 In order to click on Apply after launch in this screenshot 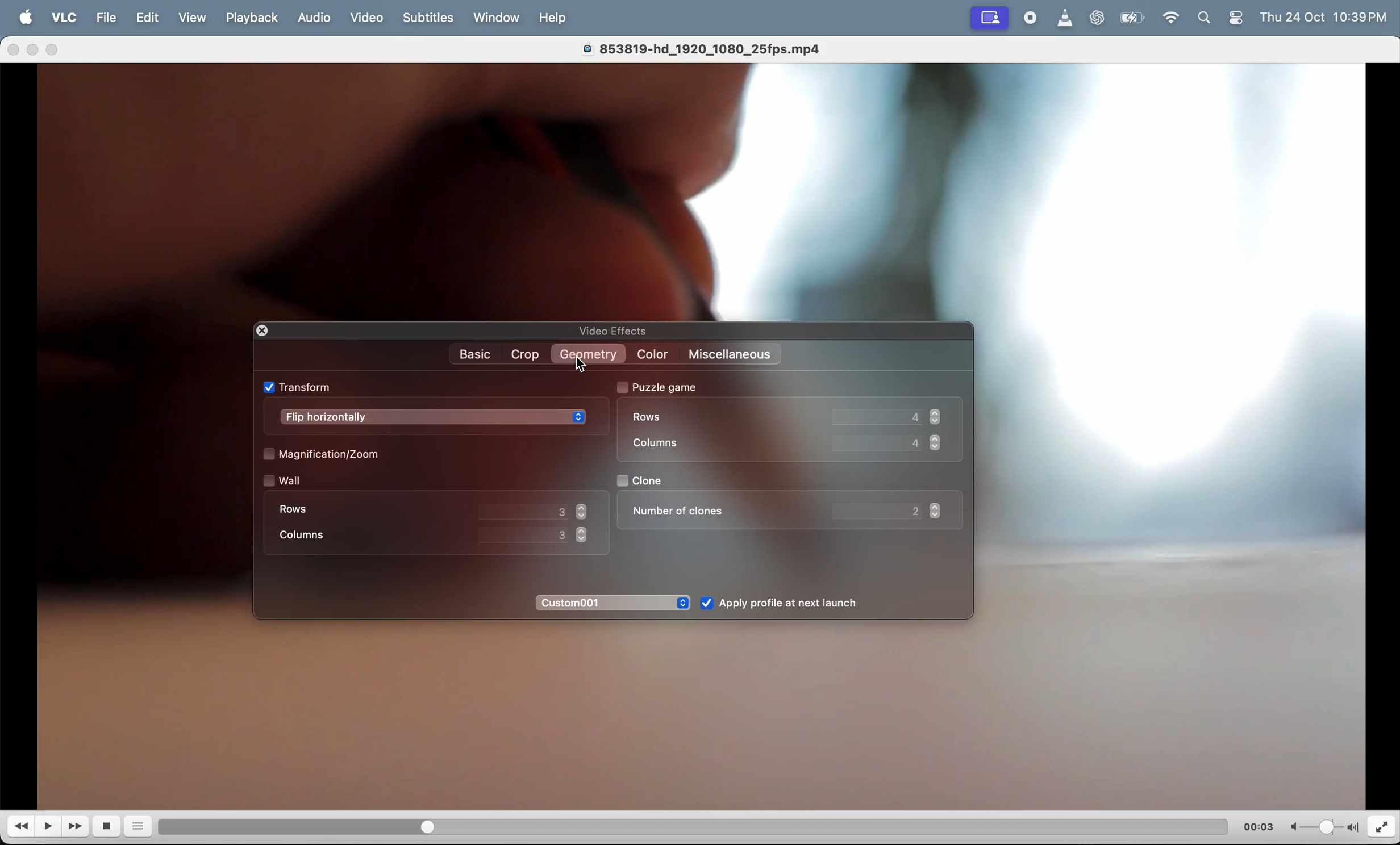, I will do `click(790, 605)`.